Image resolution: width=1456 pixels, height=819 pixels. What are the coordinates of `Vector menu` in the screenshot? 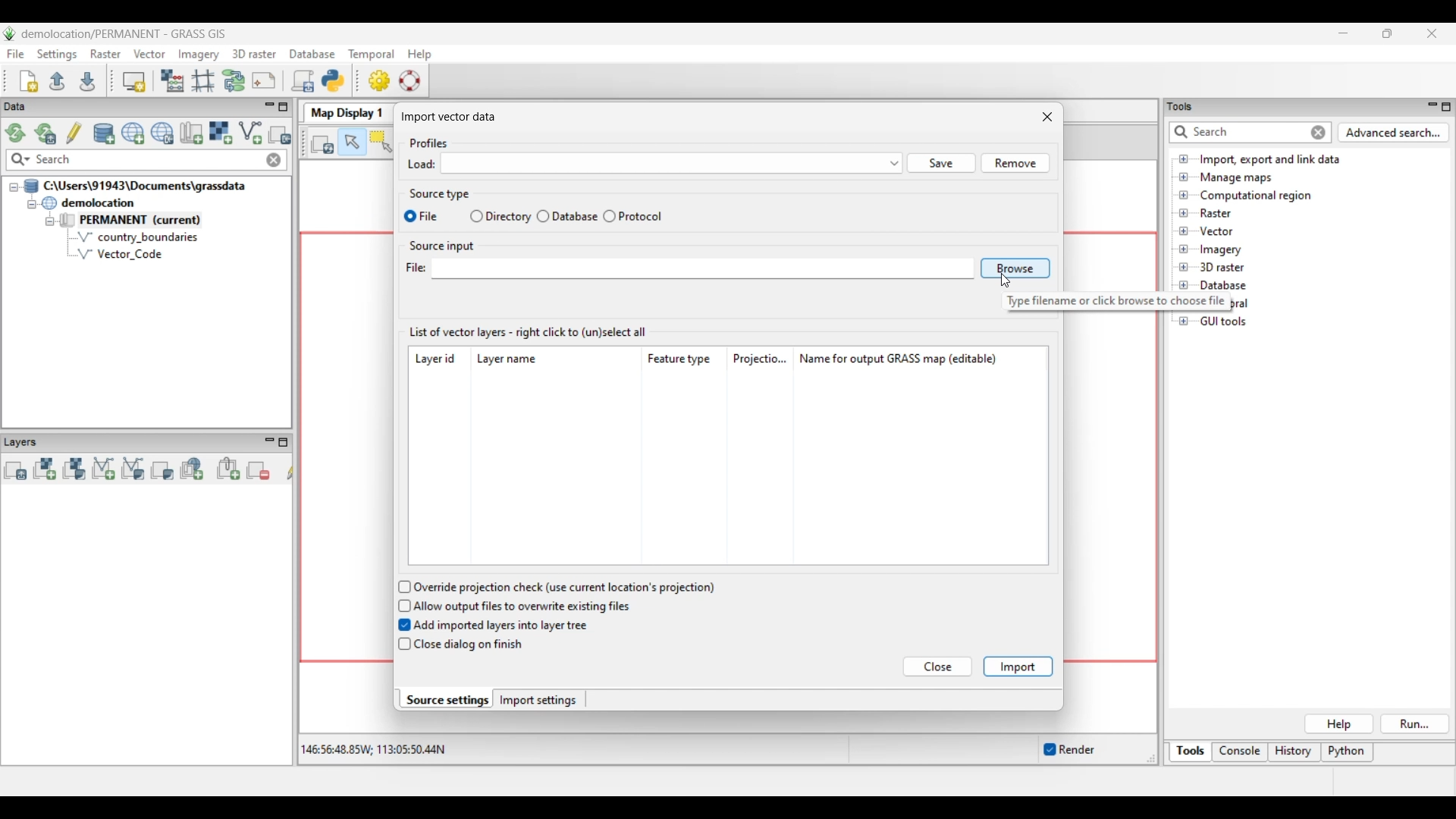 It's located at (149, 54).